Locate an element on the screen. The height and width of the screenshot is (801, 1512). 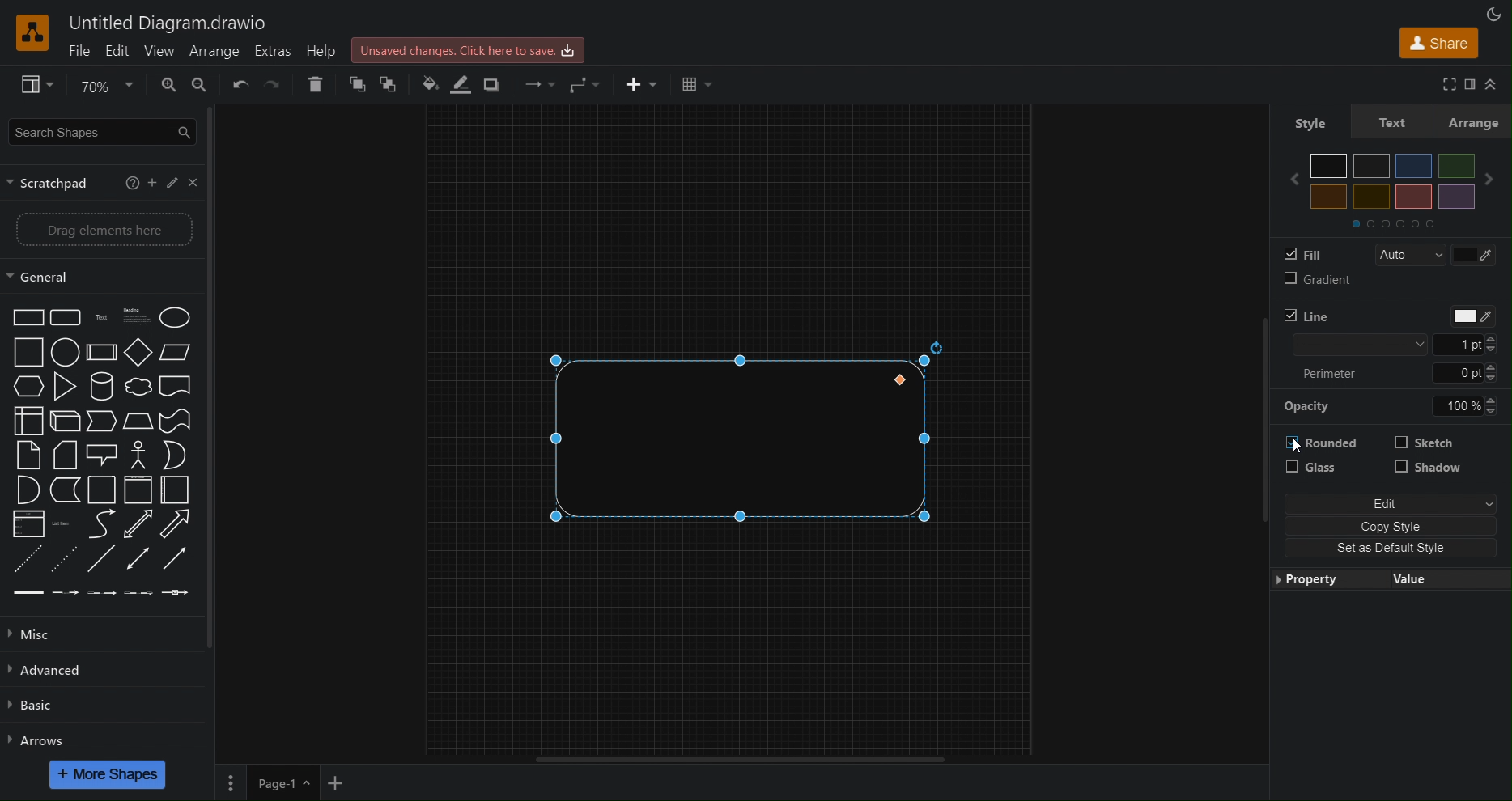
Fullscreen is located at coordinates (1443, 85).